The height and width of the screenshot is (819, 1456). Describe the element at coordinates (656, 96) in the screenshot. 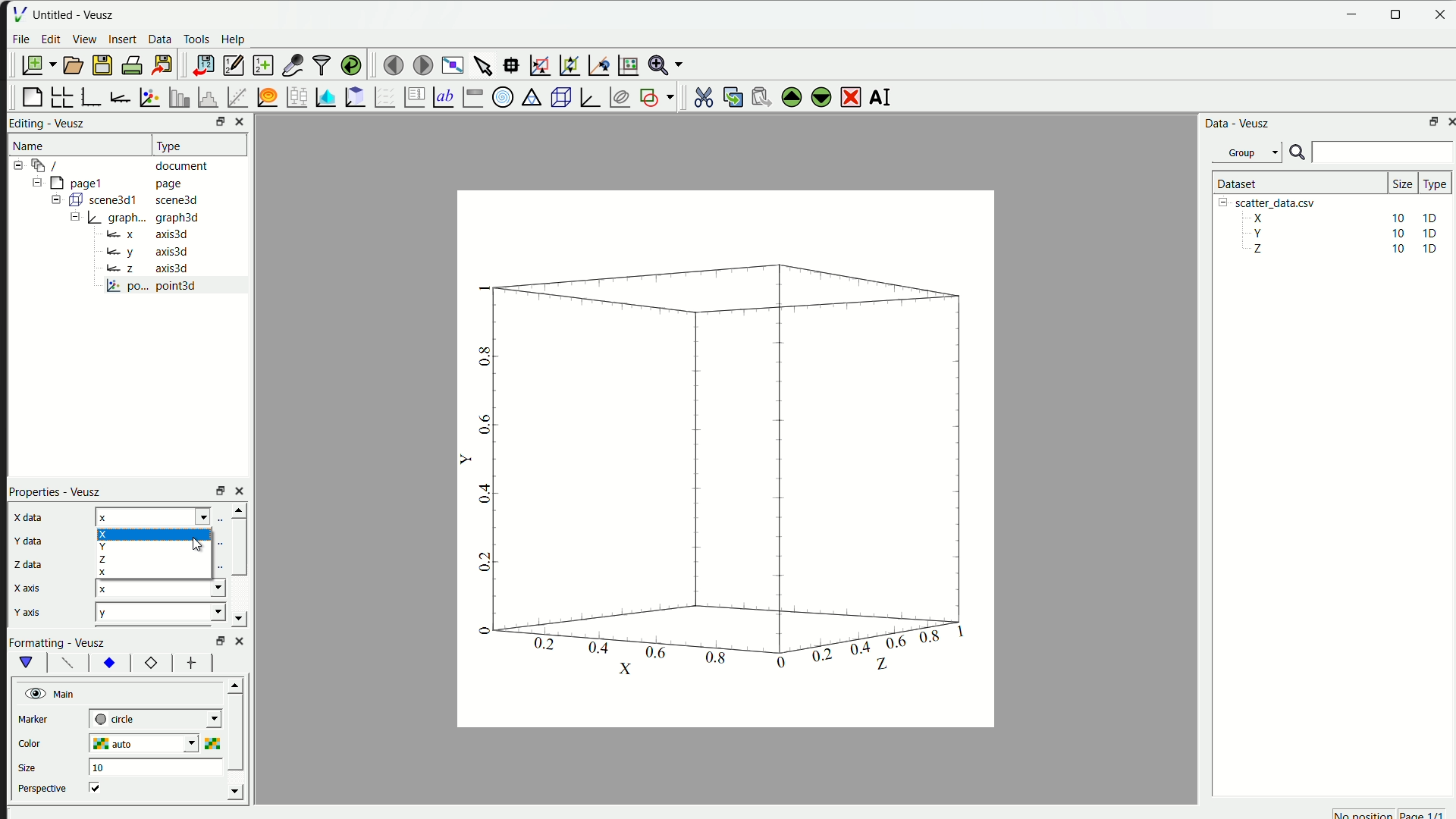

I see `add the shap to the plot` at that location.